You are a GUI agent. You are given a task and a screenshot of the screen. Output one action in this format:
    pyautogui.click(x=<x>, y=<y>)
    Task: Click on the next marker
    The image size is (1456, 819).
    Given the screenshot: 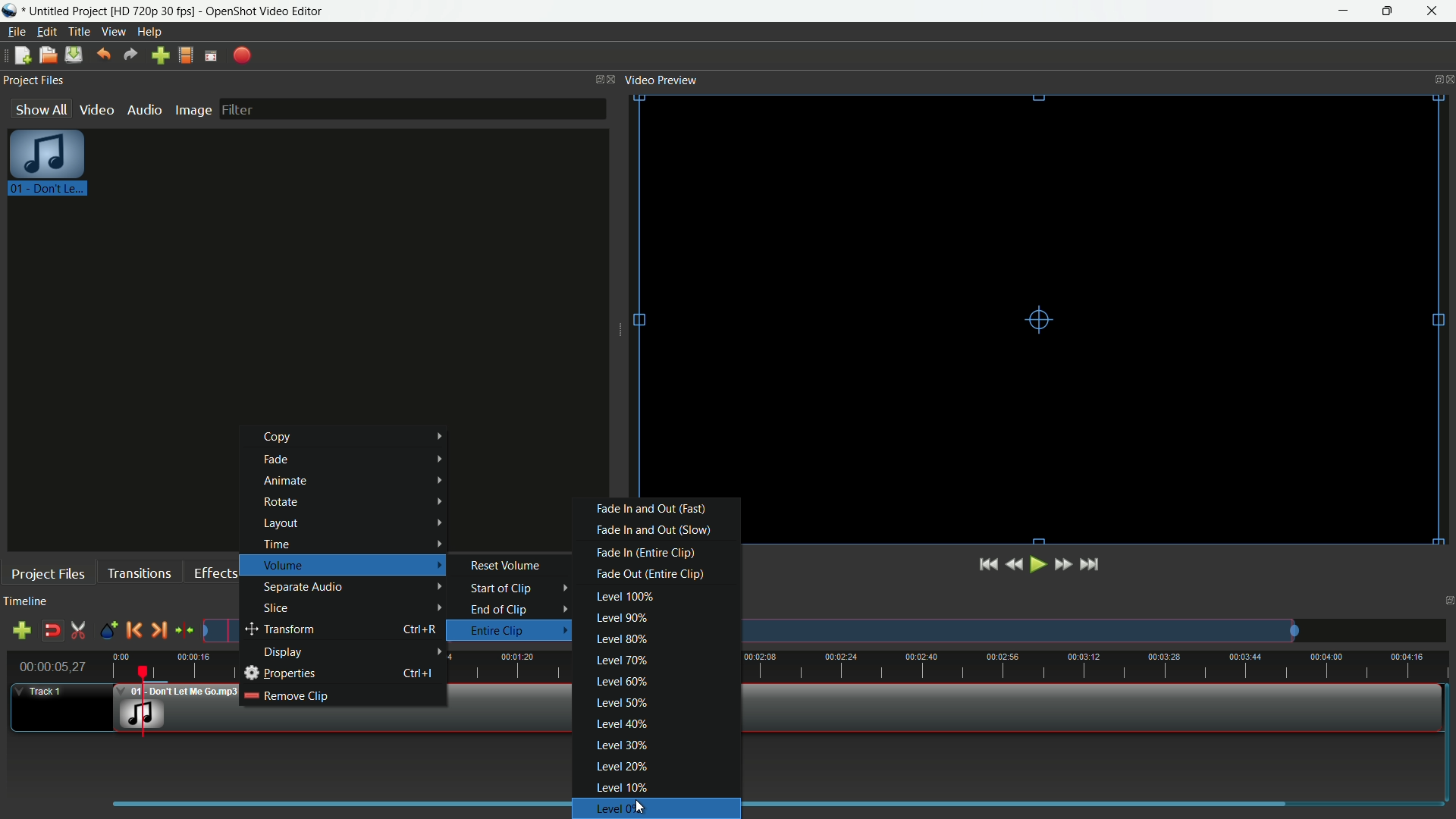 What is the action you would take?
    pyautogui.click(x=158, y=630)
    